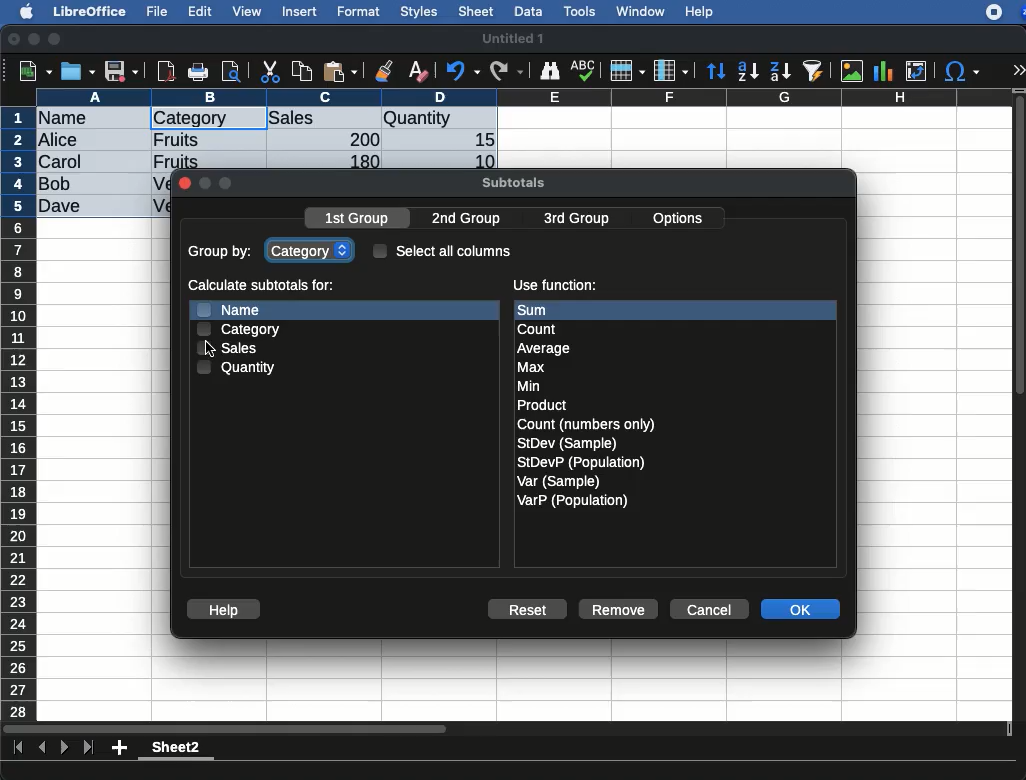  What do you see at coordinates (190, 119) in the screenshot?
I see `category` at bounding box center [190, 119].